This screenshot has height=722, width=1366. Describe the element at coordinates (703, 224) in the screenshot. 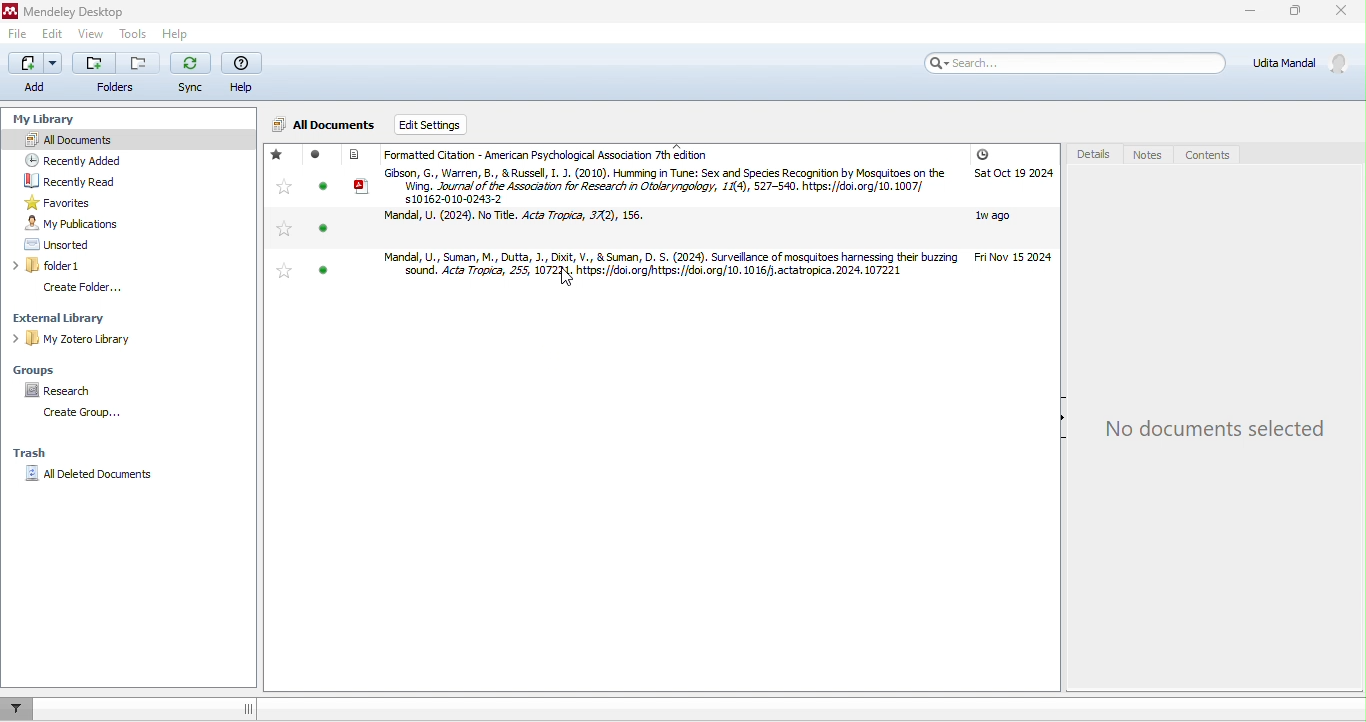

I see `Mandal, U. (2024). No Title. Acta Tropica, 3A2), 156. 1wago
.` at that location.